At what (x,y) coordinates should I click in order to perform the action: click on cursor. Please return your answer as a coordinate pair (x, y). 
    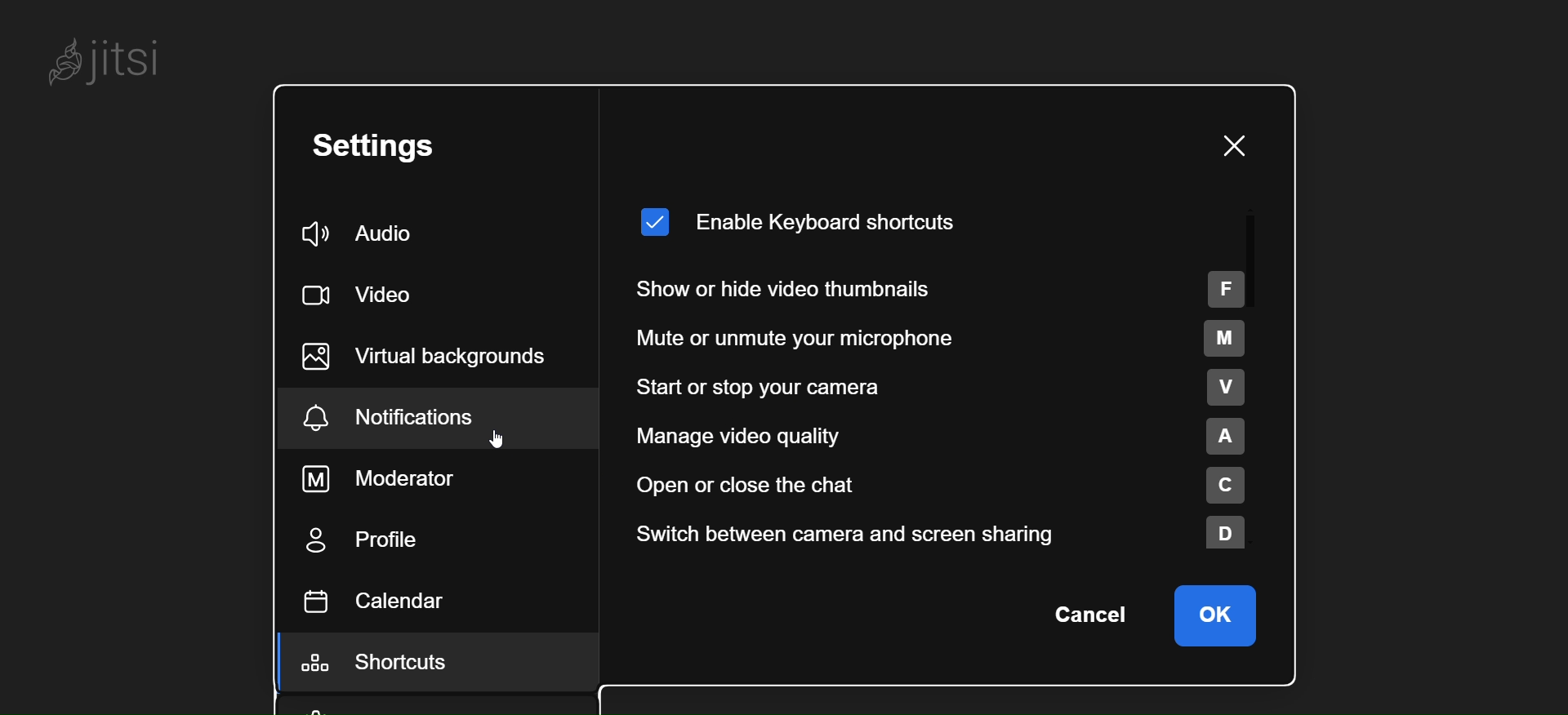
    Looking at the image, I should click on (519, 440).